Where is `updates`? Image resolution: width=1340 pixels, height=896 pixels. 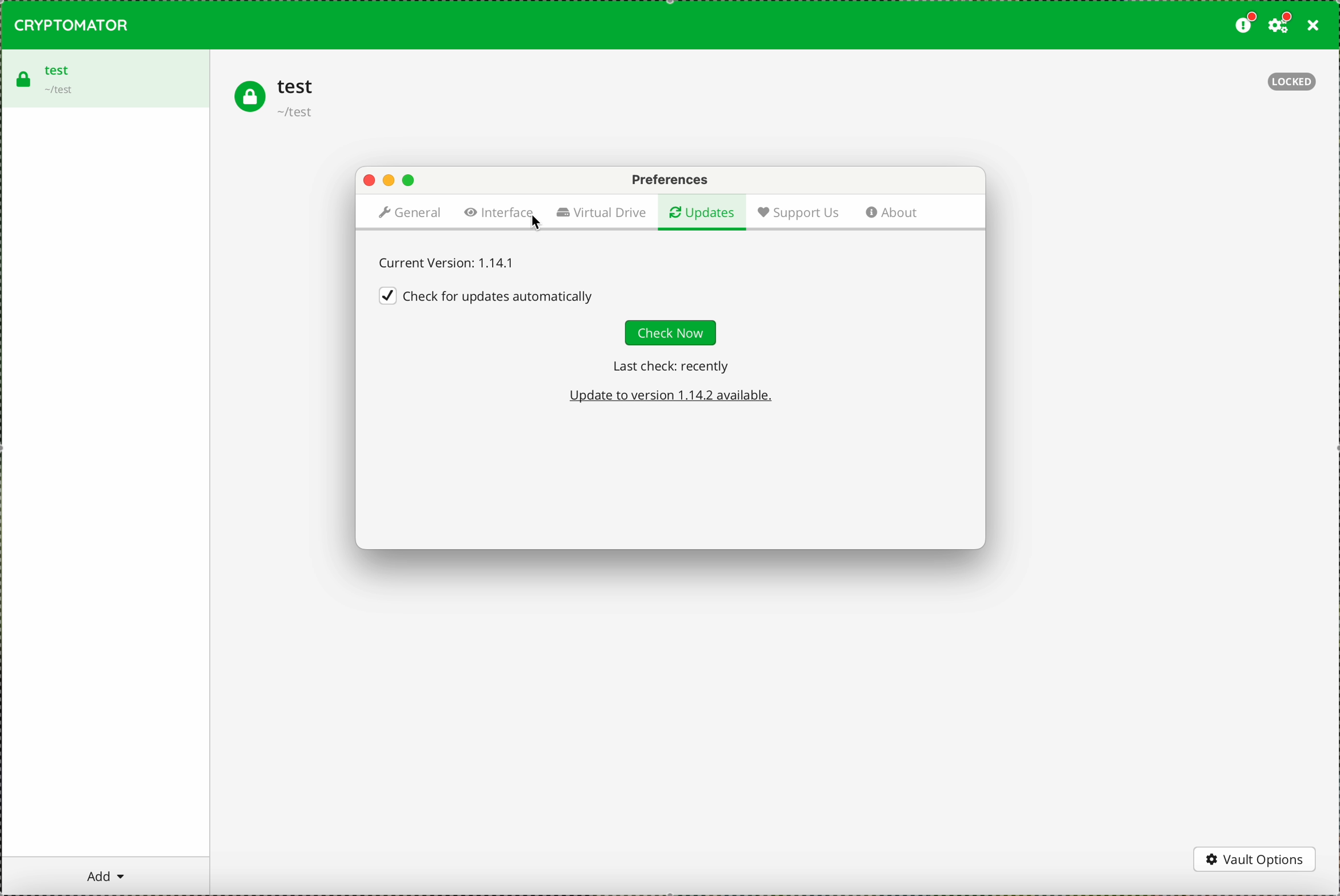
updates is located at coordinates (702, 211).